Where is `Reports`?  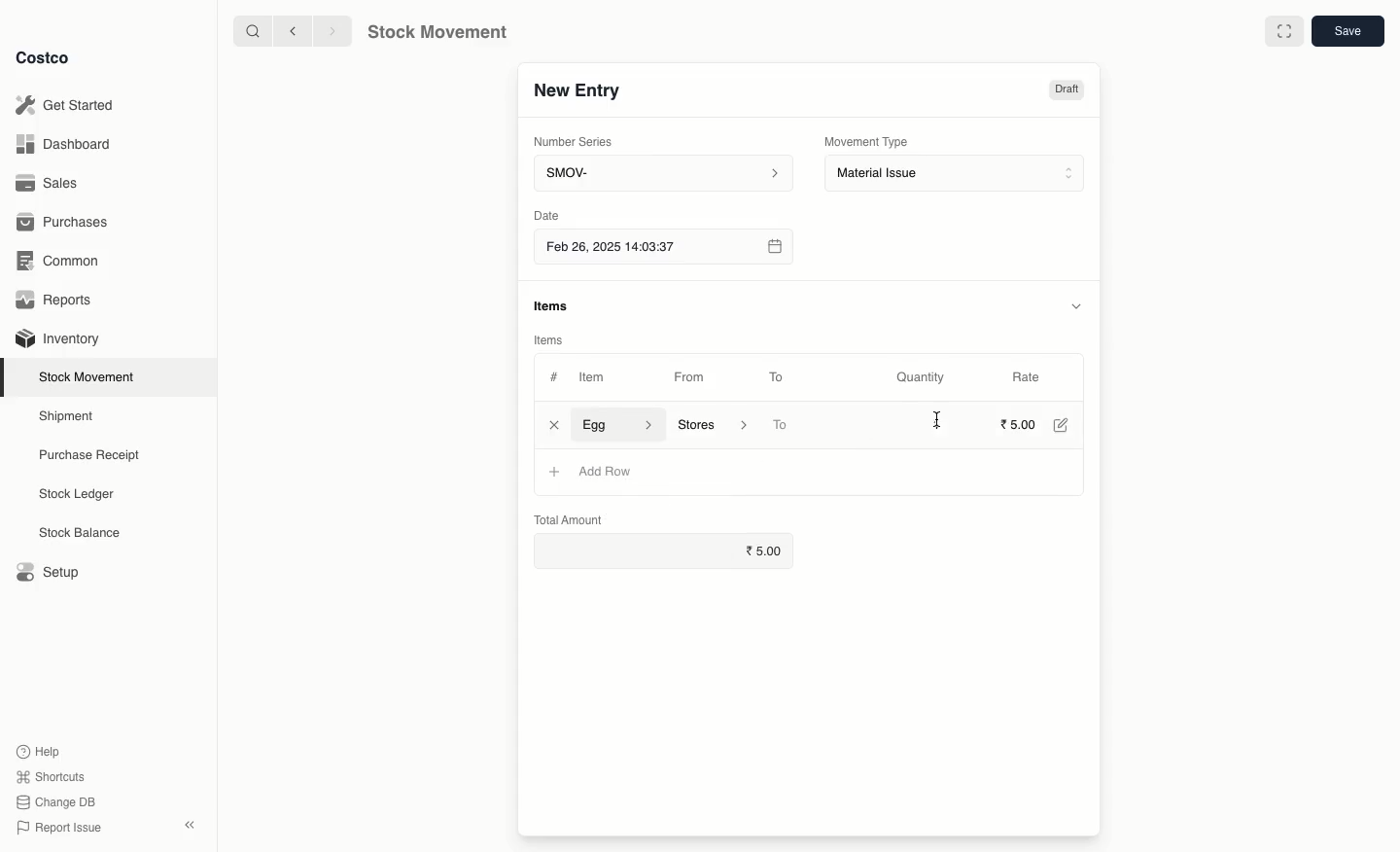 Reports is located at coordinates (58, 300).